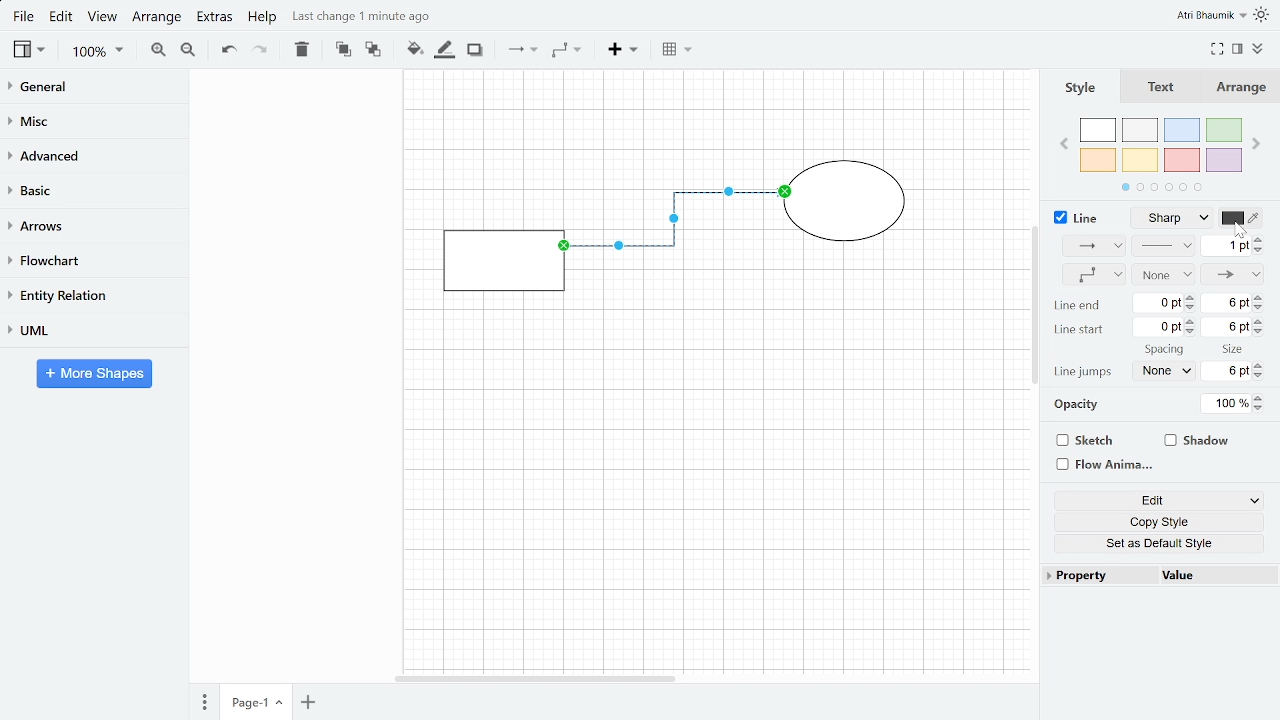  I want to click on Horizontal scrollbar, so click(538, 679).